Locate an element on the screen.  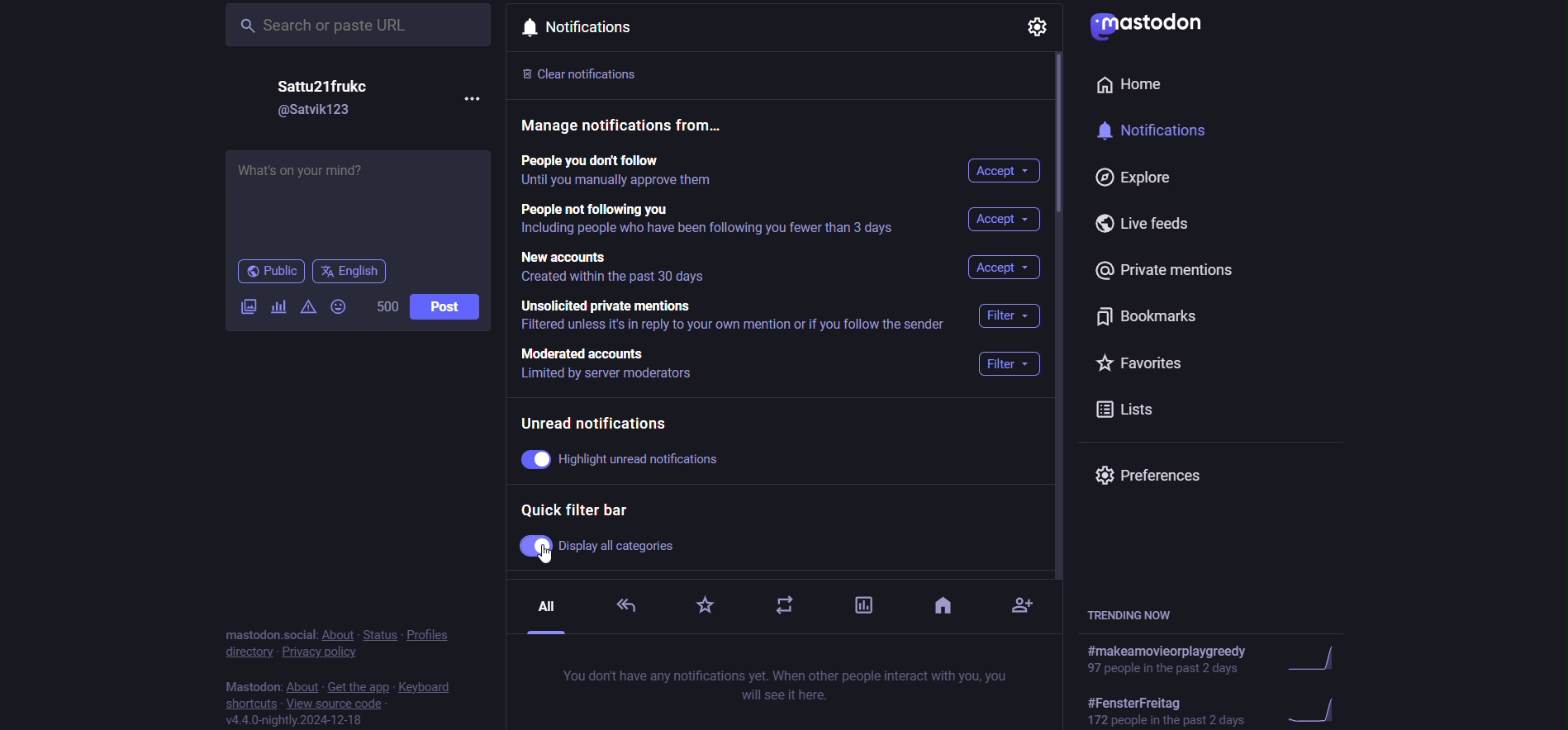
Accept is located at coordinates (1005, 269).